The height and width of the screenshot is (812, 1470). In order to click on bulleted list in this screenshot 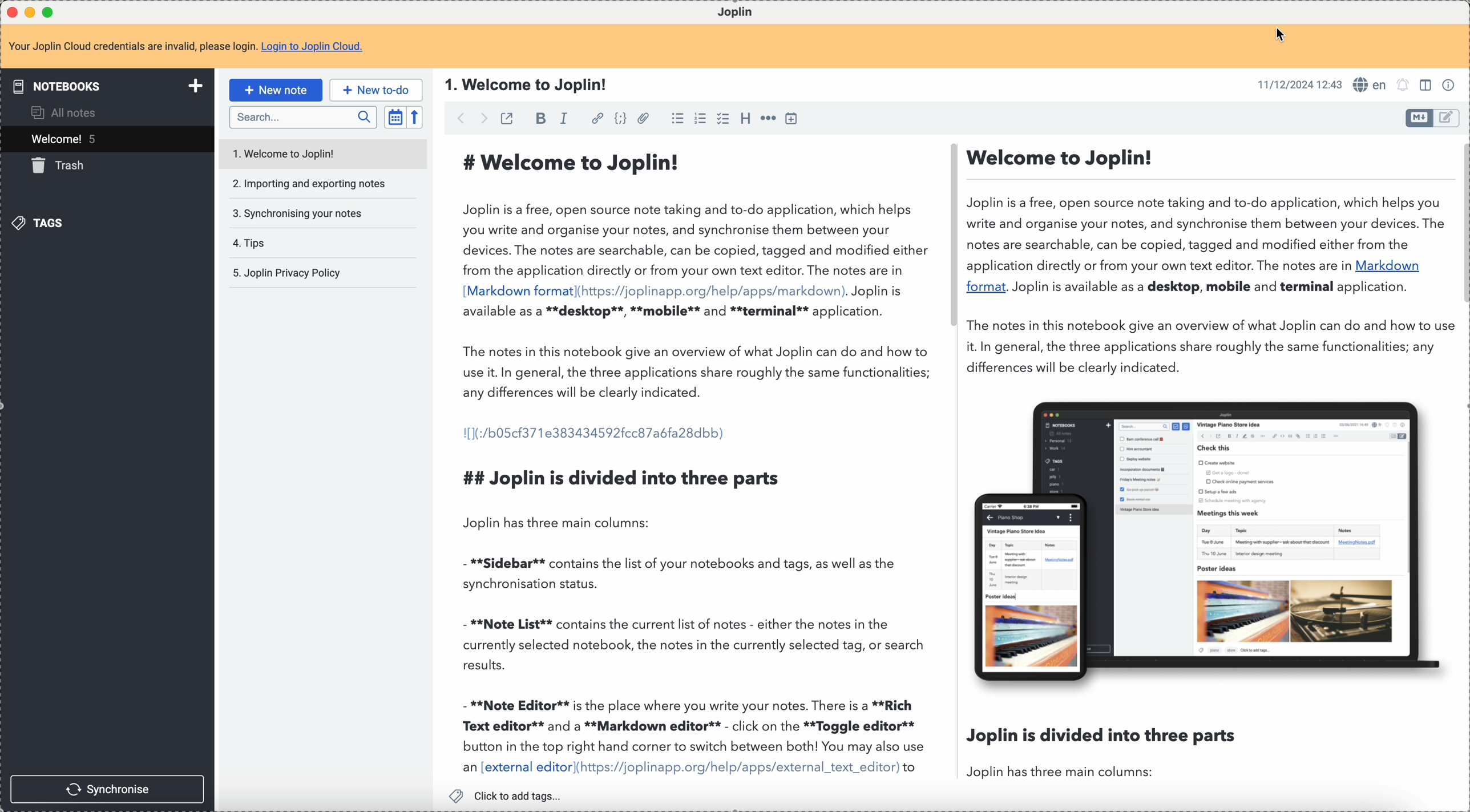, I will do `click(676, 117)`.